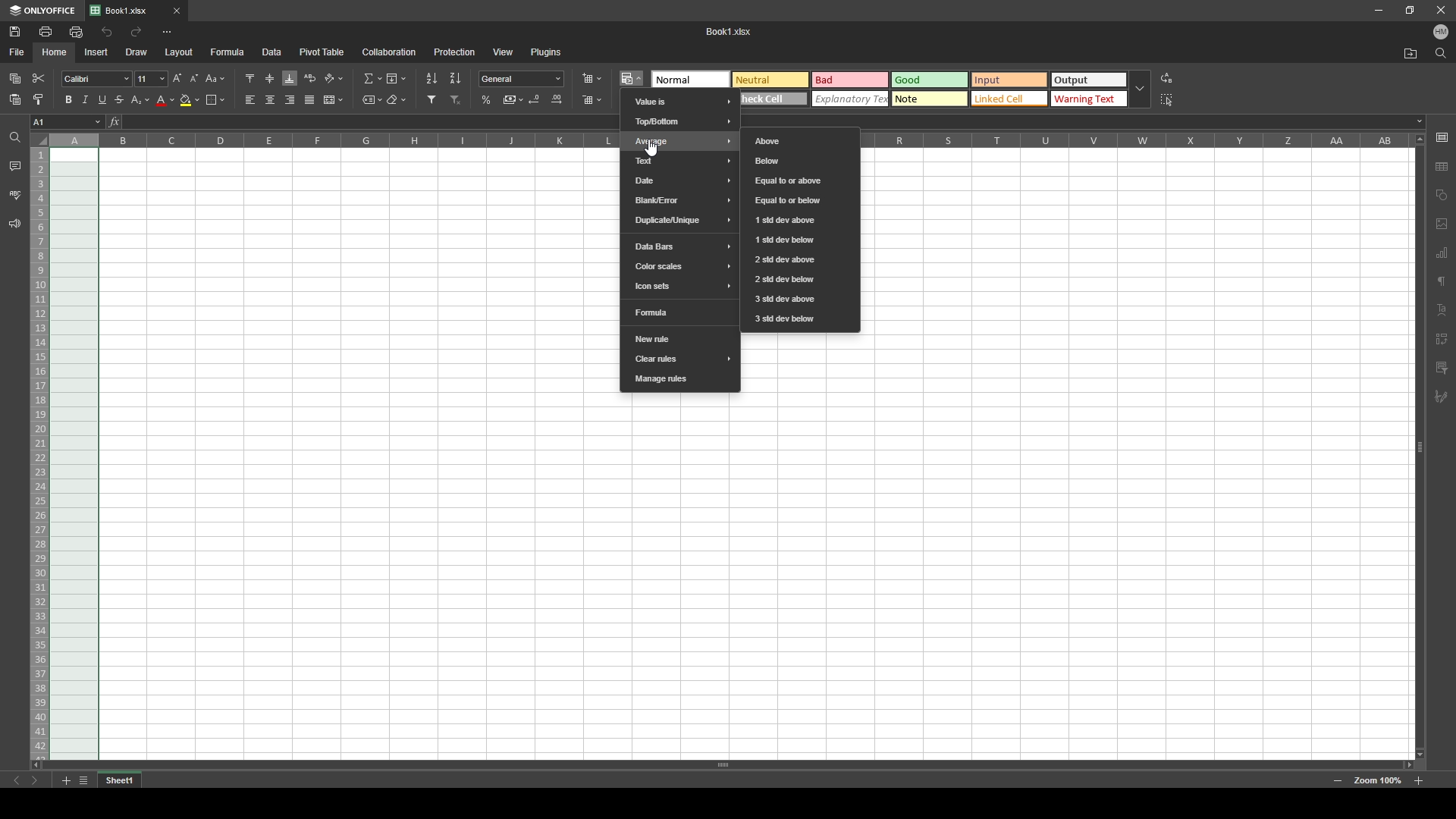 Image resolution: width=1456 pixels, height=819 pixels. I want to click on find, so click(1441, 54).